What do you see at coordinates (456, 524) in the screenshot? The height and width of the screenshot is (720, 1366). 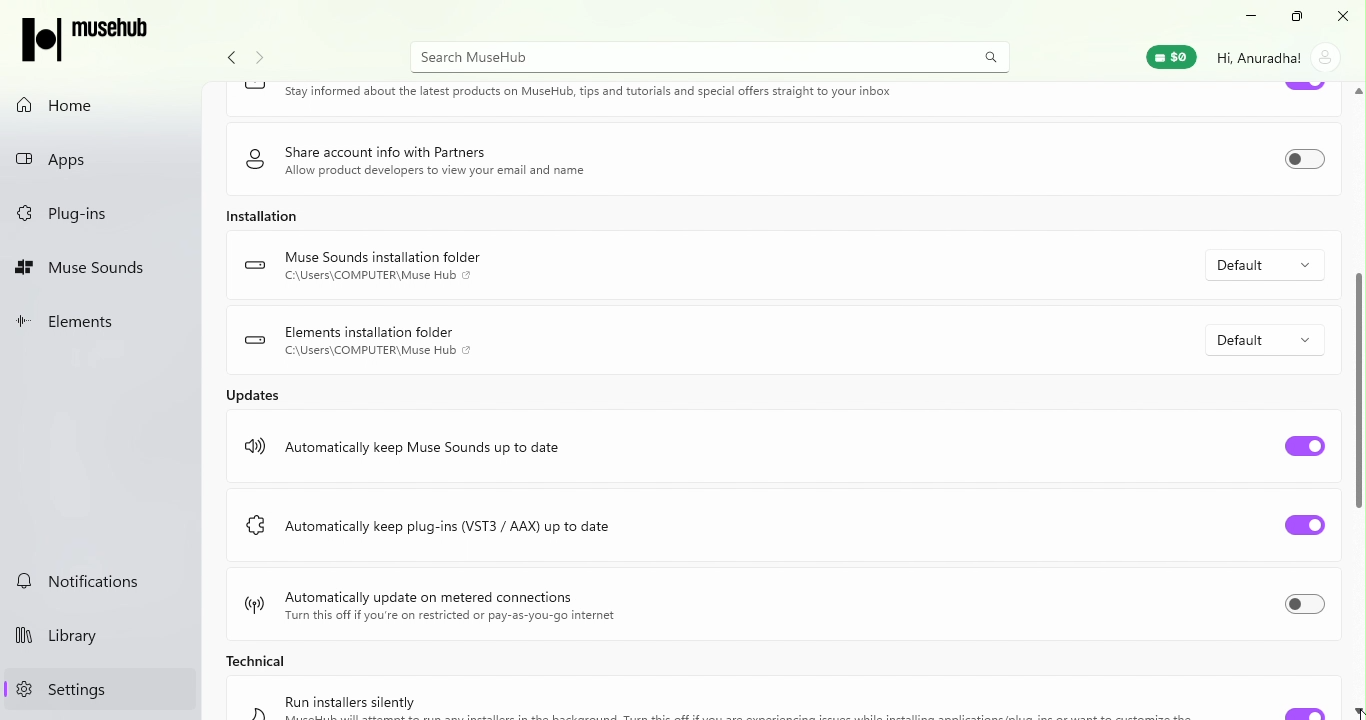 I see `Automatically keep plug-ins (VST3 / AAX) up to date` at bounding box center [456, 524].